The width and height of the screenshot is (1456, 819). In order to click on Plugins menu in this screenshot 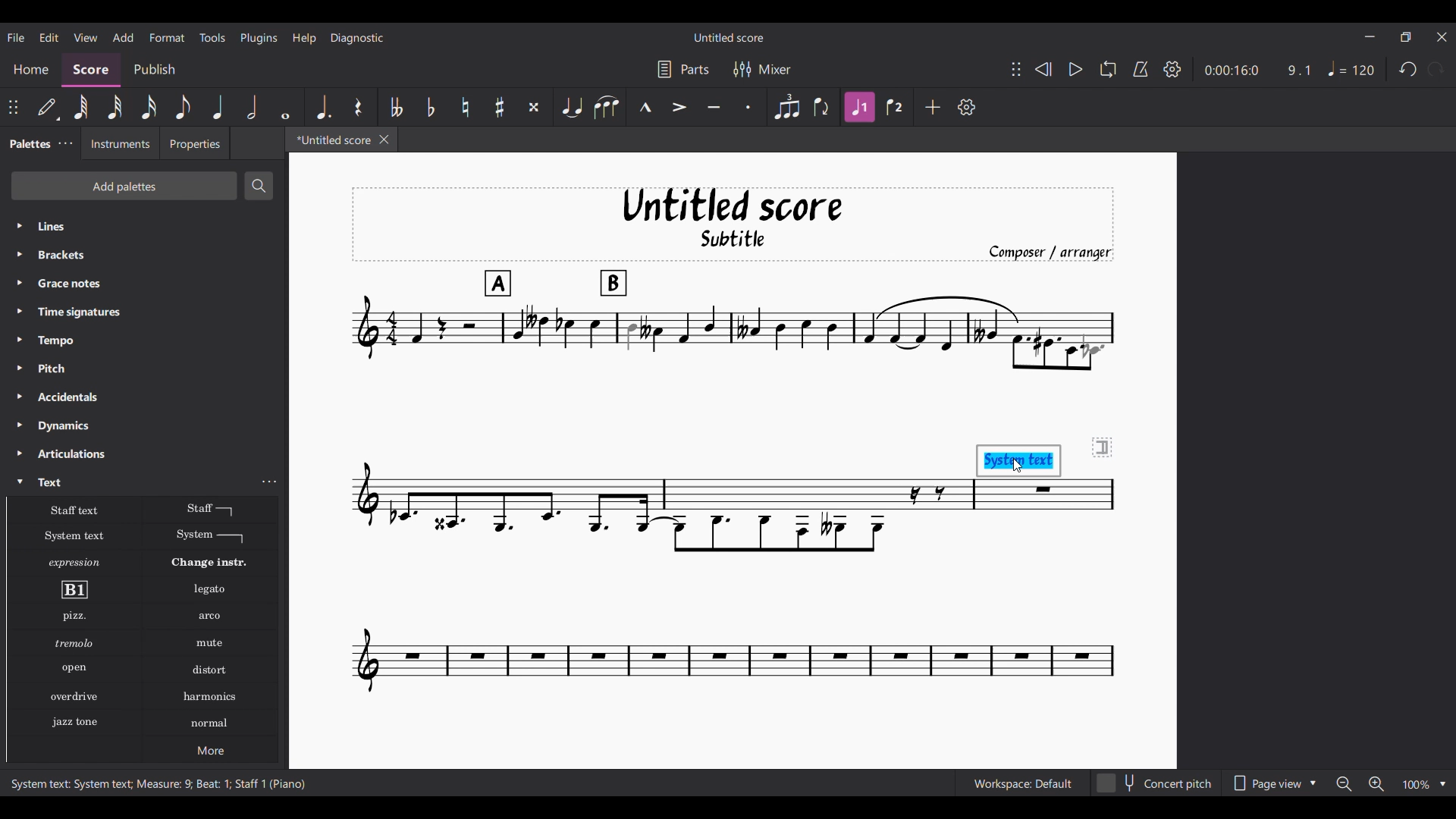, I will do `click(259, 38)`.